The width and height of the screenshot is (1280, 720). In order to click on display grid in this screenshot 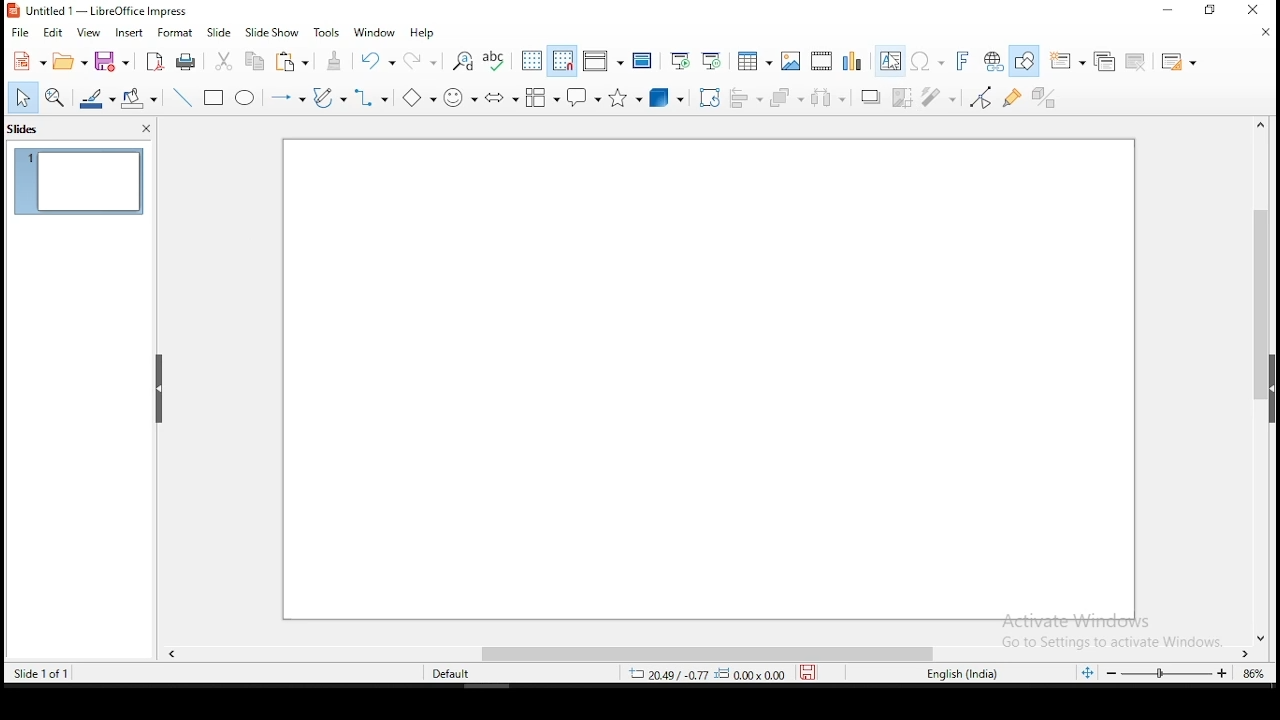, I will do `click(528, 60)`.